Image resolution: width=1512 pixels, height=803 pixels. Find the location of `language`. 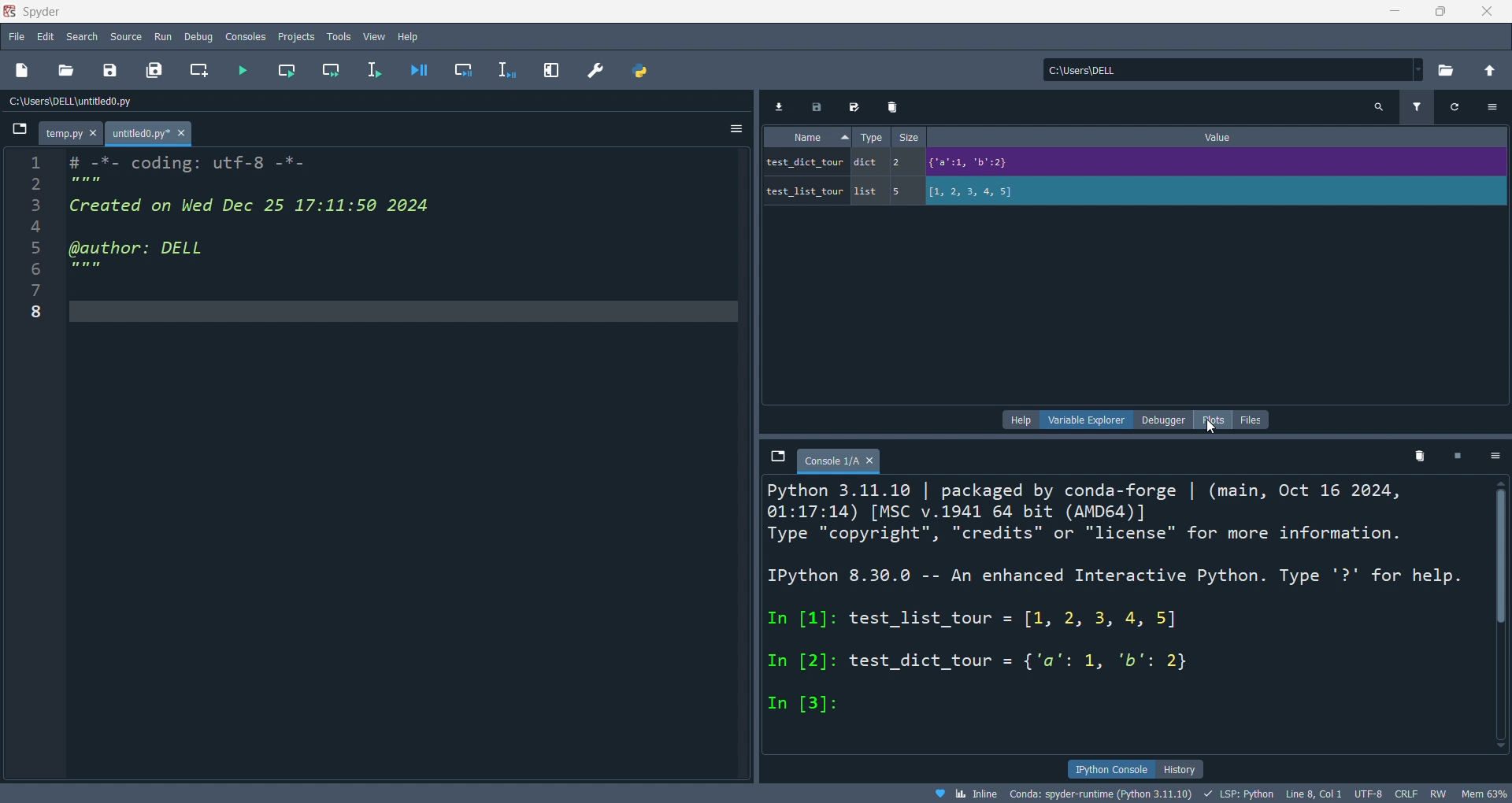

language is located at coordinates (1235, 794).